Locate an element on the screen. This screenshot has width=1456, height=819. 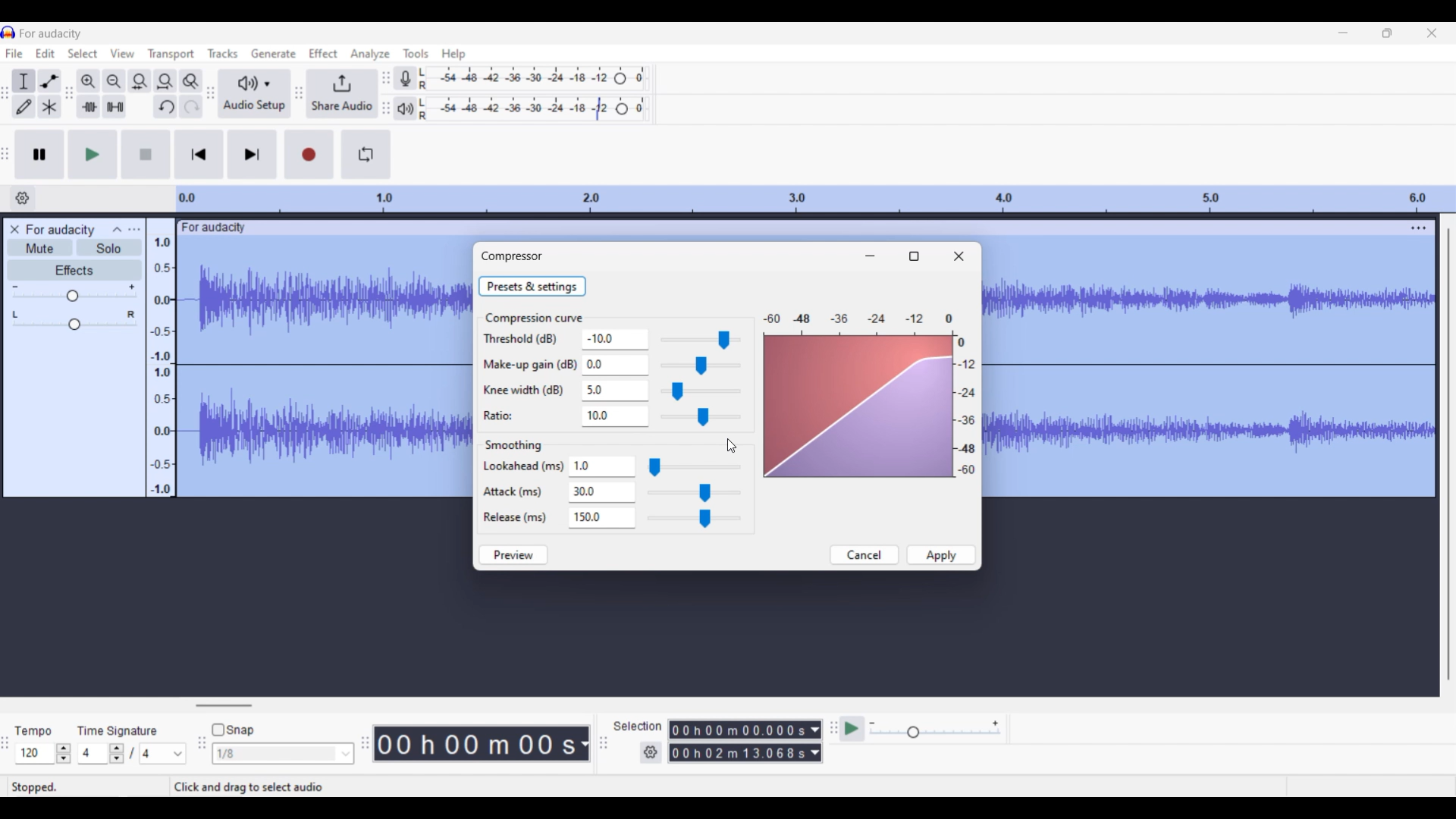
Stopped. Click and drag to select audio. is located at coordinates (187, 787).